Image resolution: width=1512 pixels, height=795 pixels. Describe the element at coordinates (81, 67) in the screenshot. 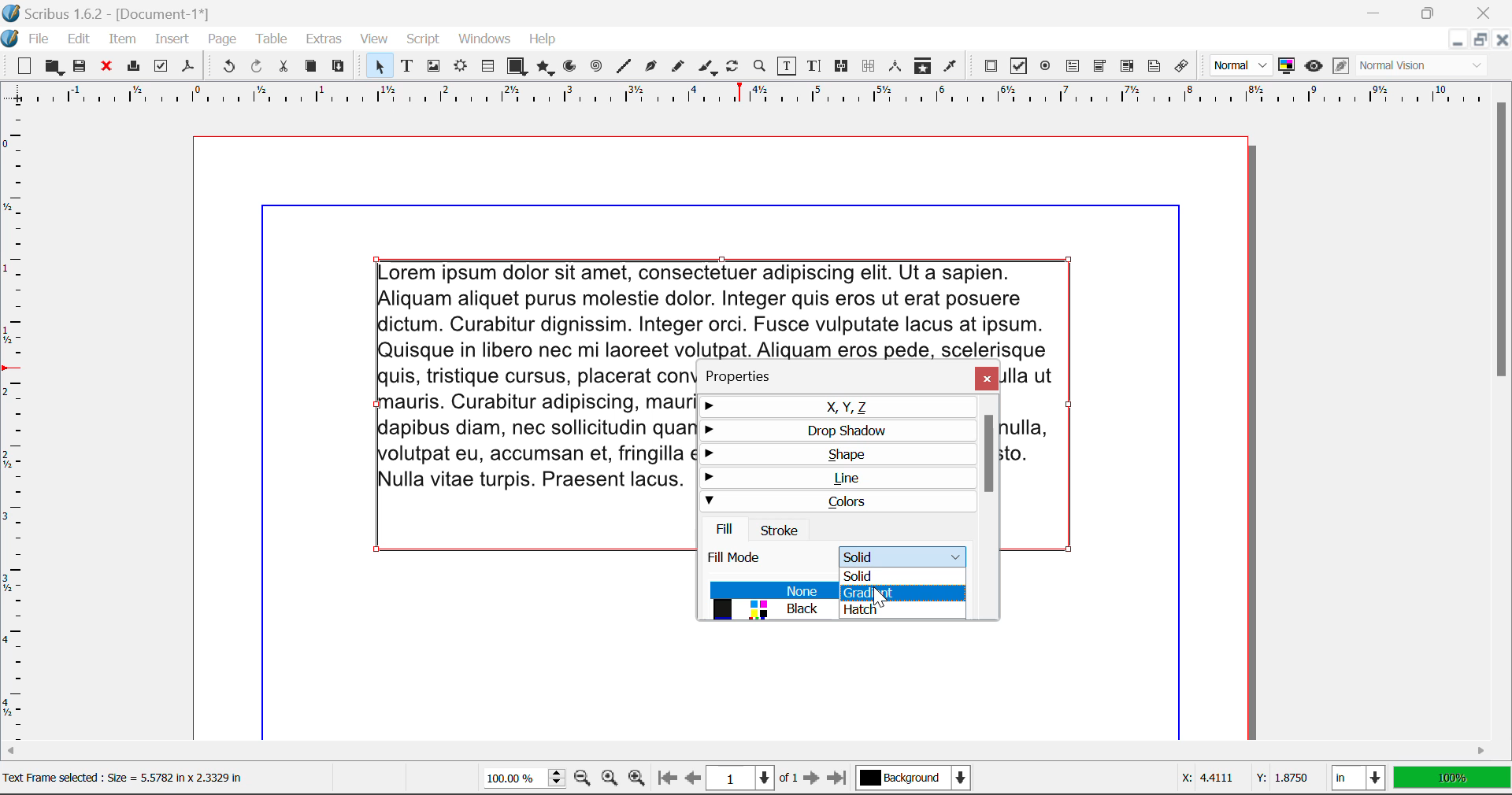

I see `Save` at that location.